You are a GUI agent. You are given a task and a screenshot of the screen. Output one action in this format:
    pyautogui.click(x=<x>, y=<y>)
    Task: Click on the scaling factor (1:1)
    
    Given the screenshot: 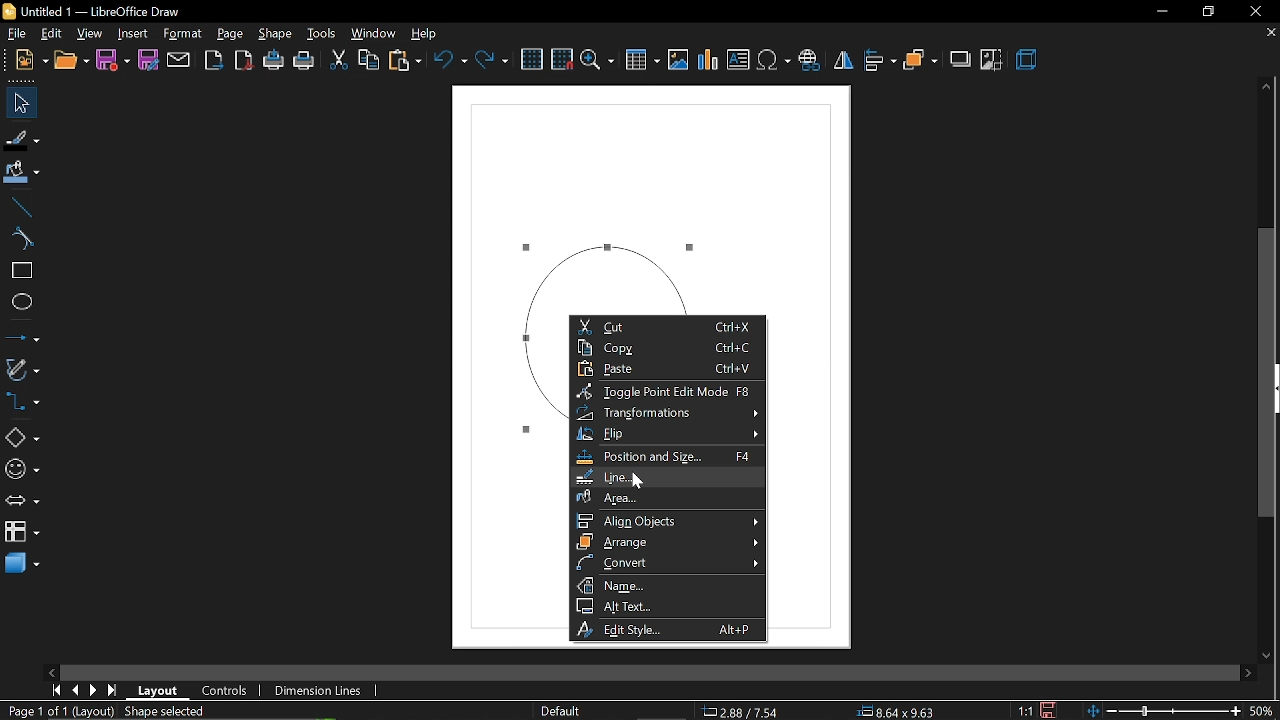 What is the action you would take?
    pyautogui.click(x=1027, y=711)
    